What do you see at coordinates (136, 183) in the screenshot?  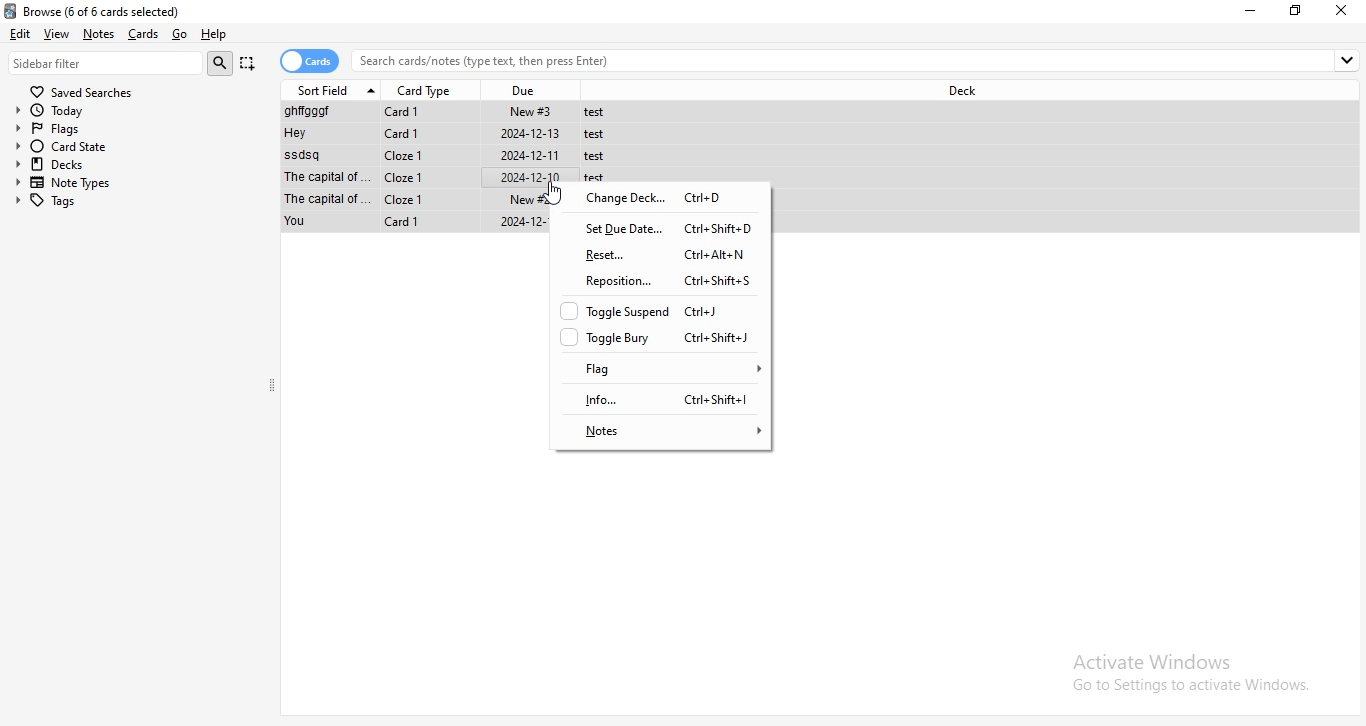 I see `note types` at bounding box center [136, 183].